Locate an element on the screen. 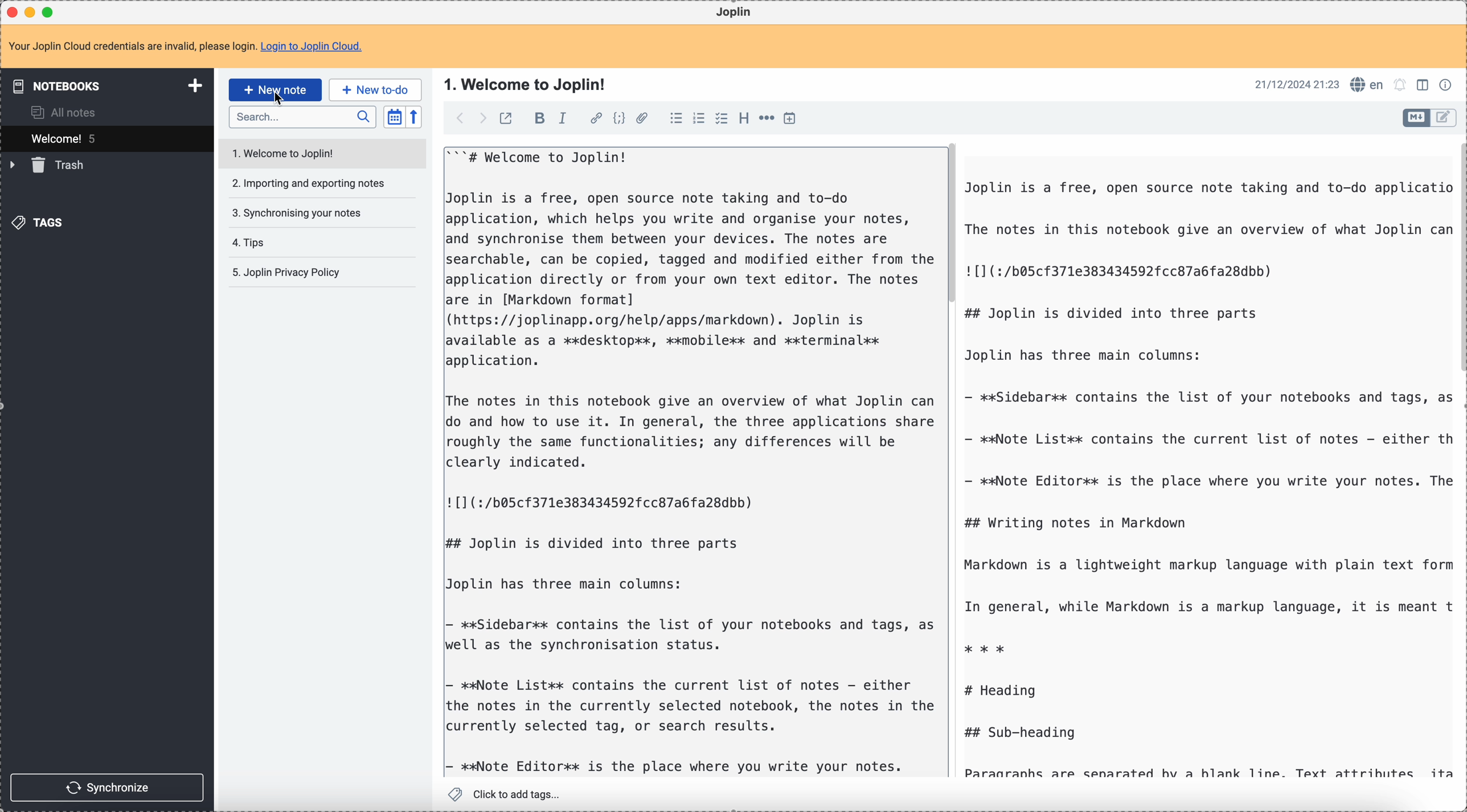 Image resolution: width=1467 pixels, height=812 pixels. toggle external editing is located at coordinates (505, 118).